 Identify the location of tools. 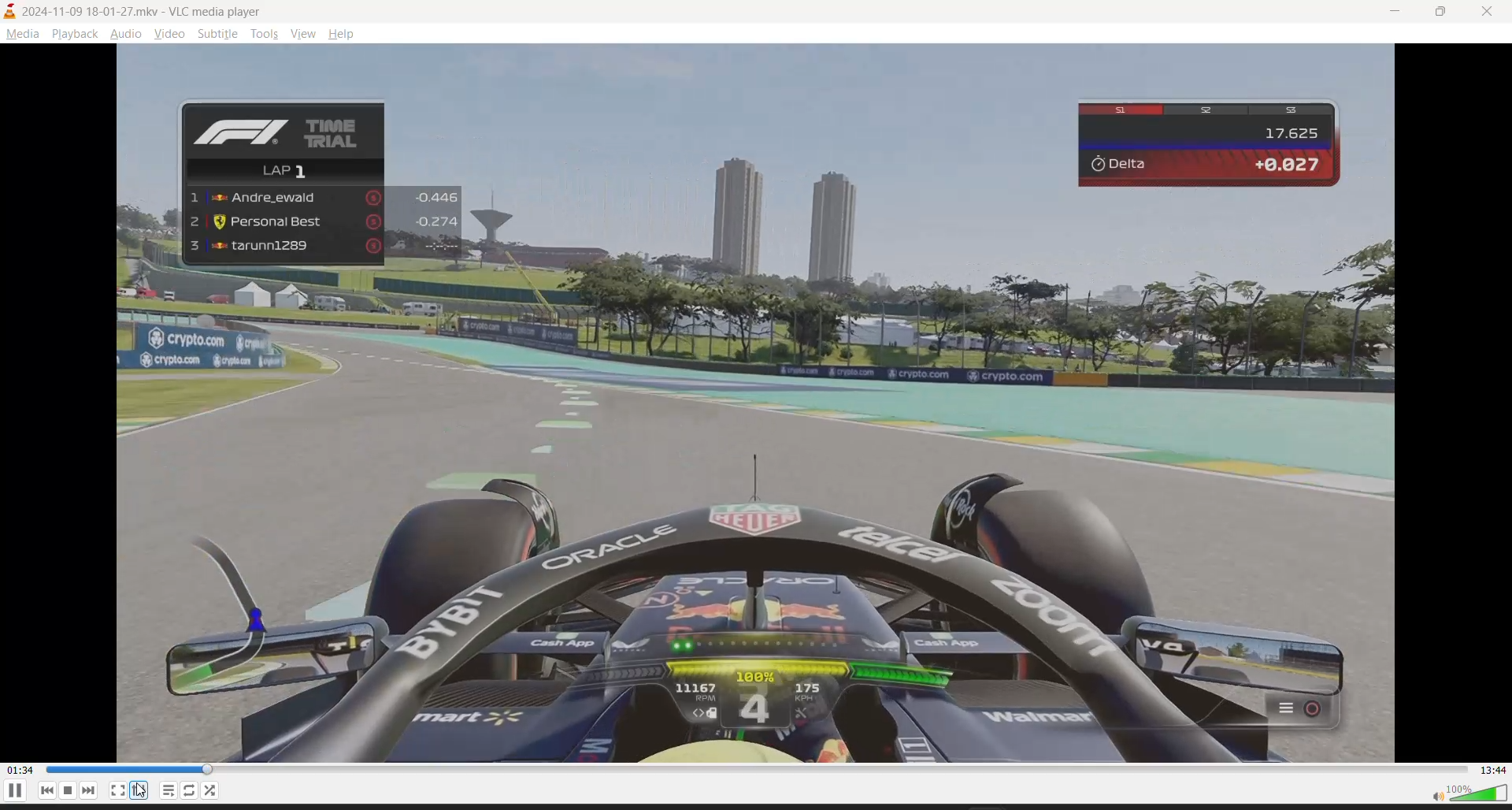
(263, 34).